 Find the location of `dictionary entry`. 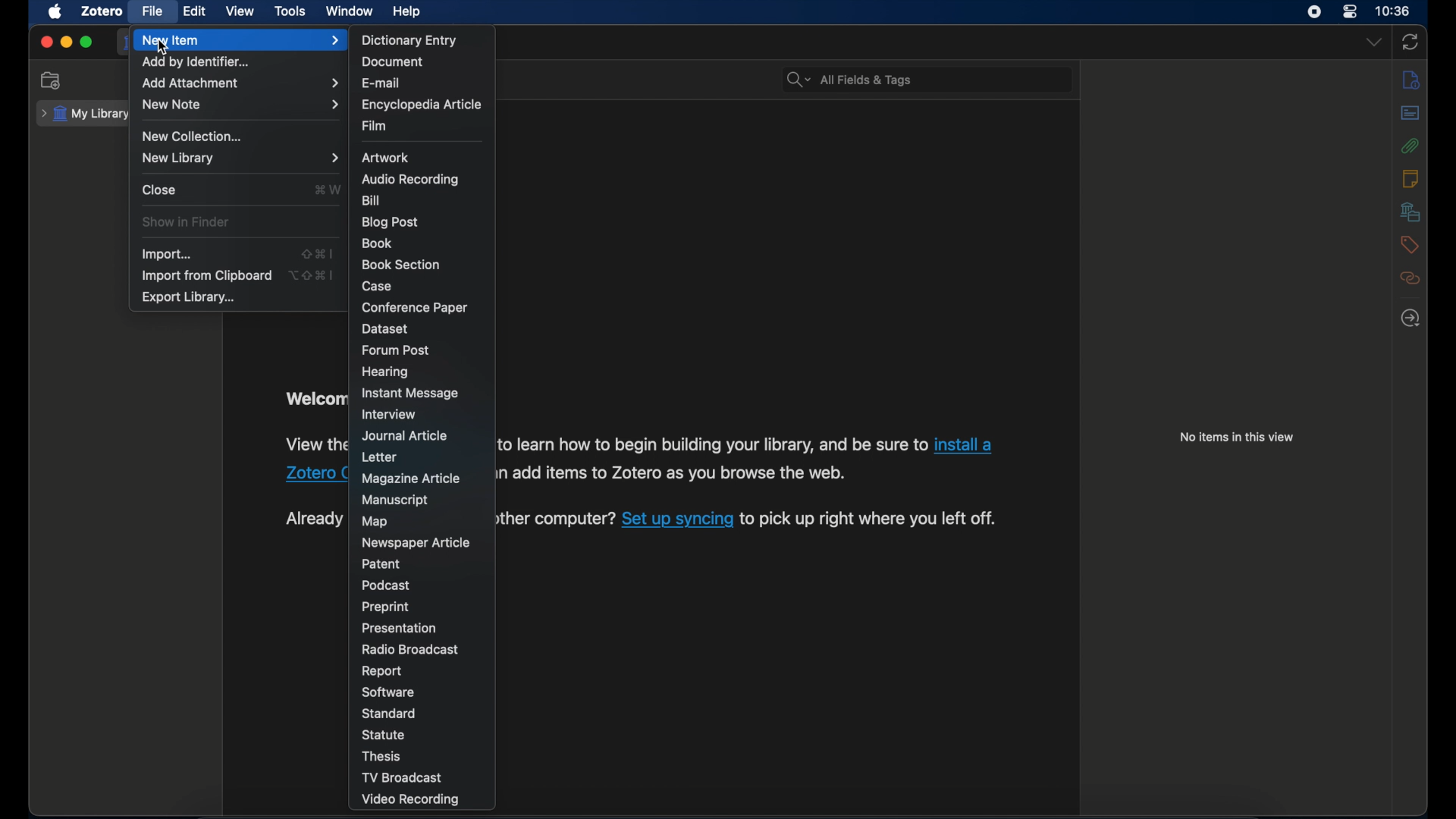

dictionary entry is located at coordinates (409, 39).